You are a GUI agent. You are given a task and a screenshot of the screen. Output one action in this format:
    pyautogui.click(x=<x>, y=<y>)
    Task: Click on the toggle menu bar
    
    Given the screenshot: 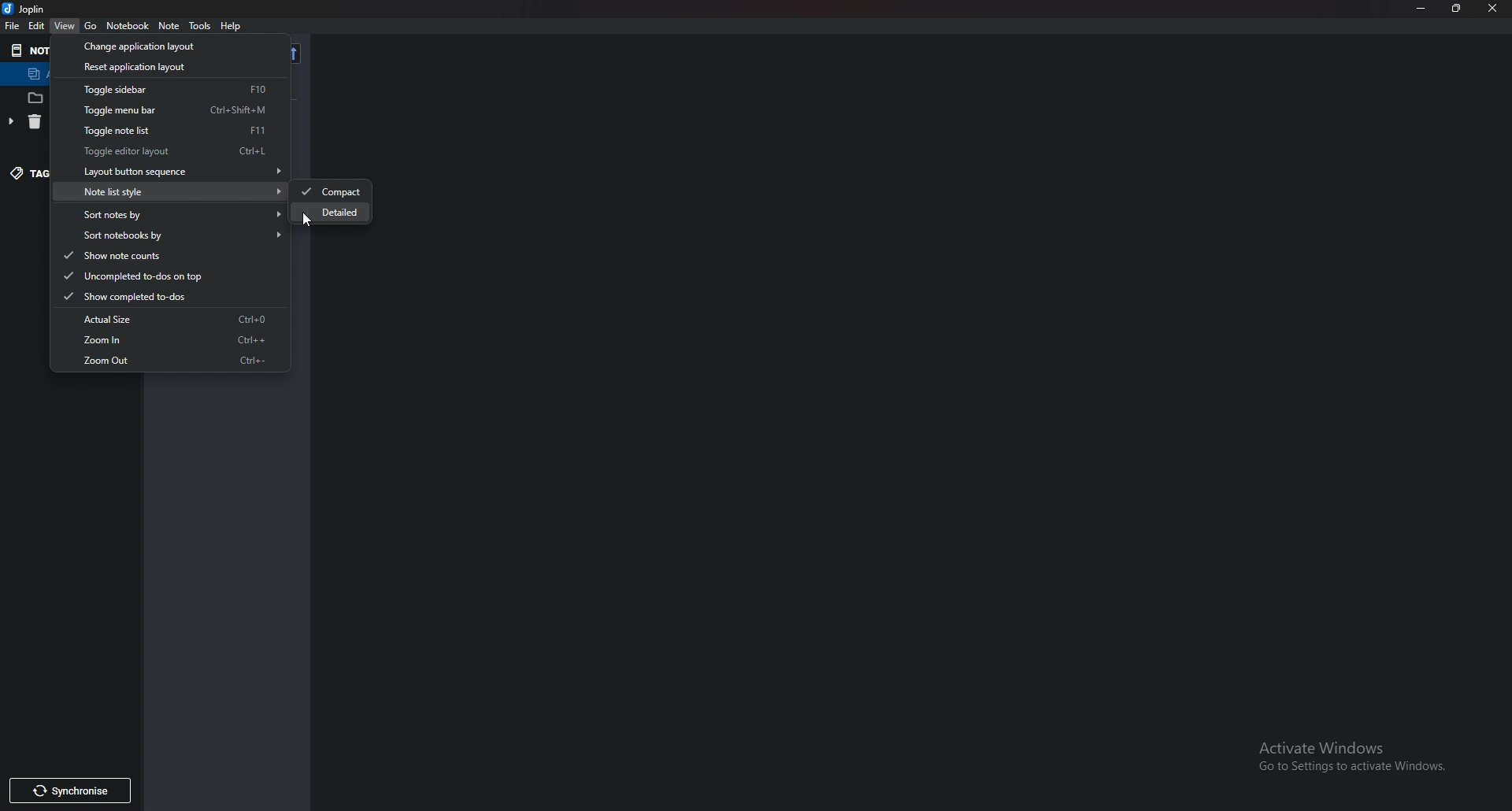 What is the action you would take?
    pyautogui.click(x=173, y=110)
    